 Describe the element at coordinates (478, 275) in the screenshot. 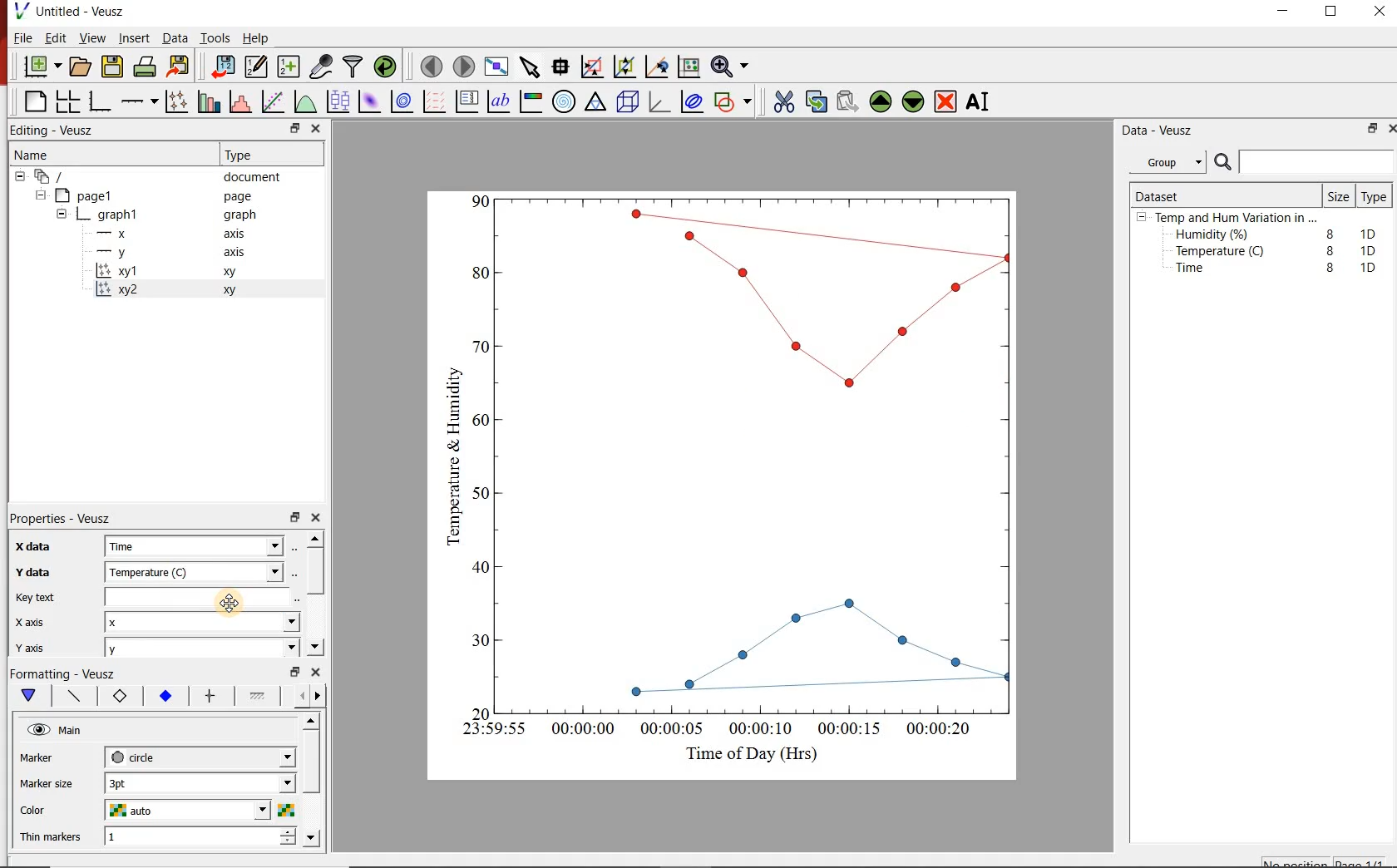

I see `80` at that location.